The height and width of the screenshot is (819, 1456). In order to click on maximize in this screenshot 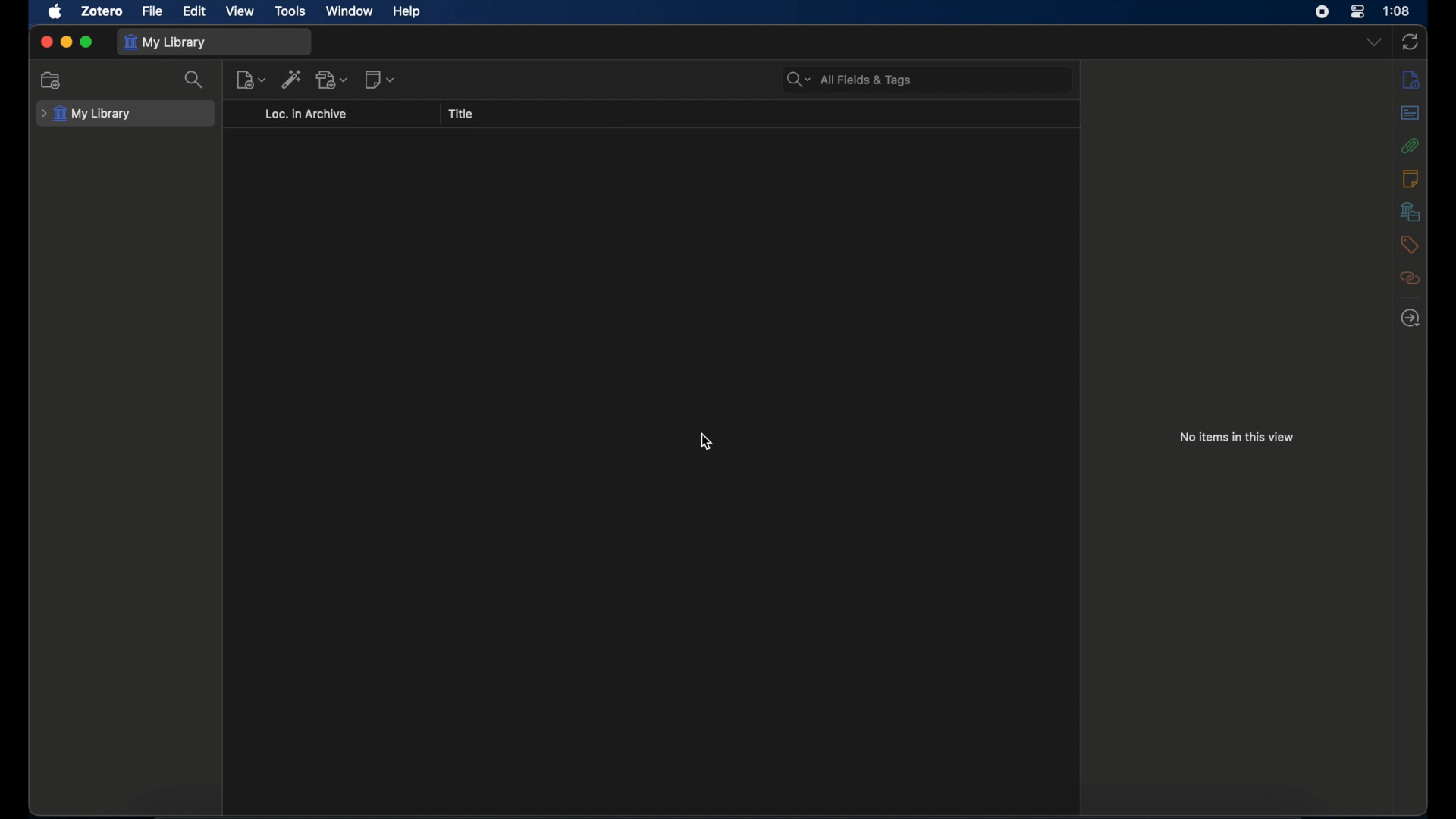, I will do `click(86, 42)`.